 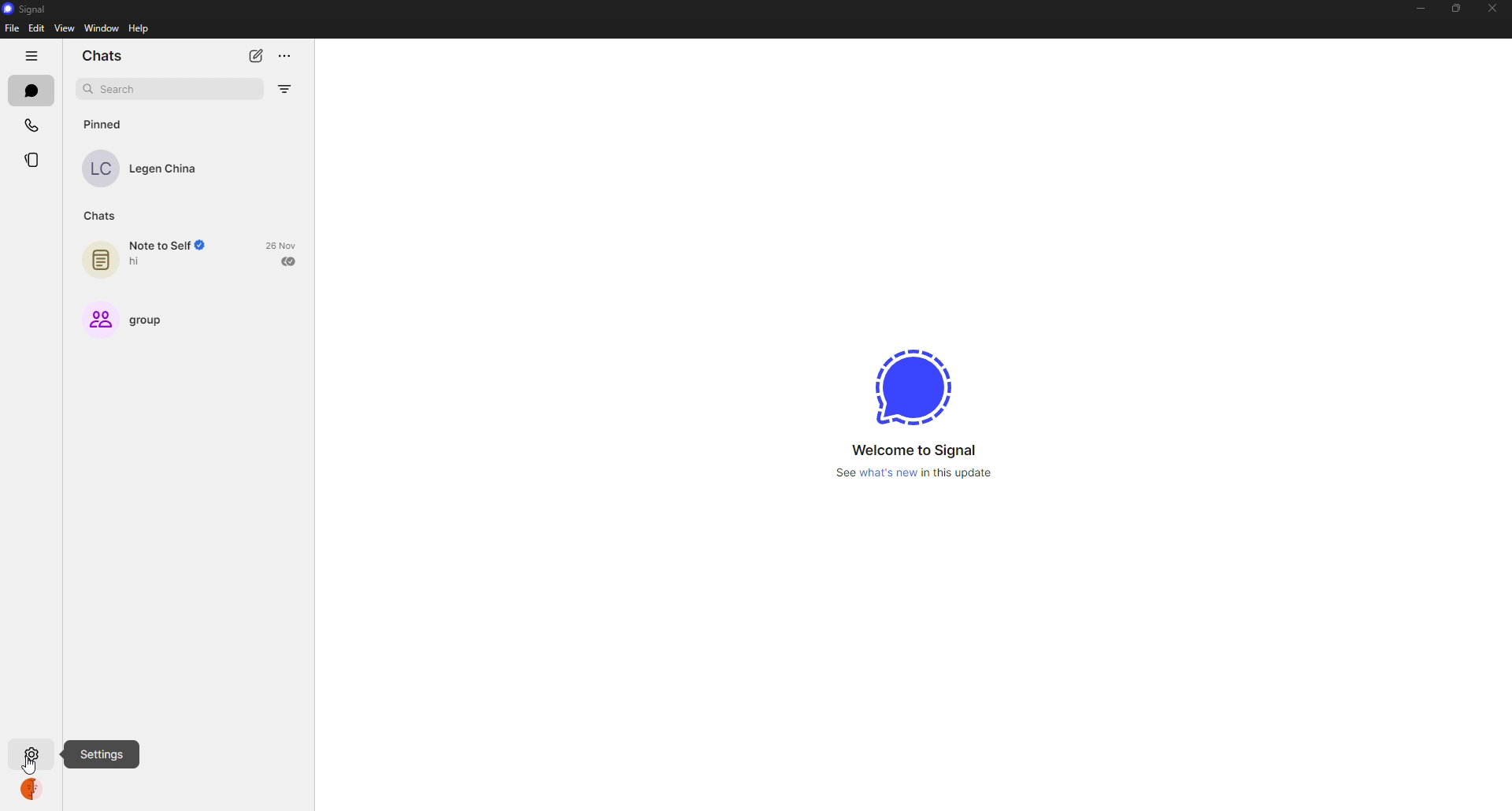 I want to click on minimize, so click(x=1418, y=9).